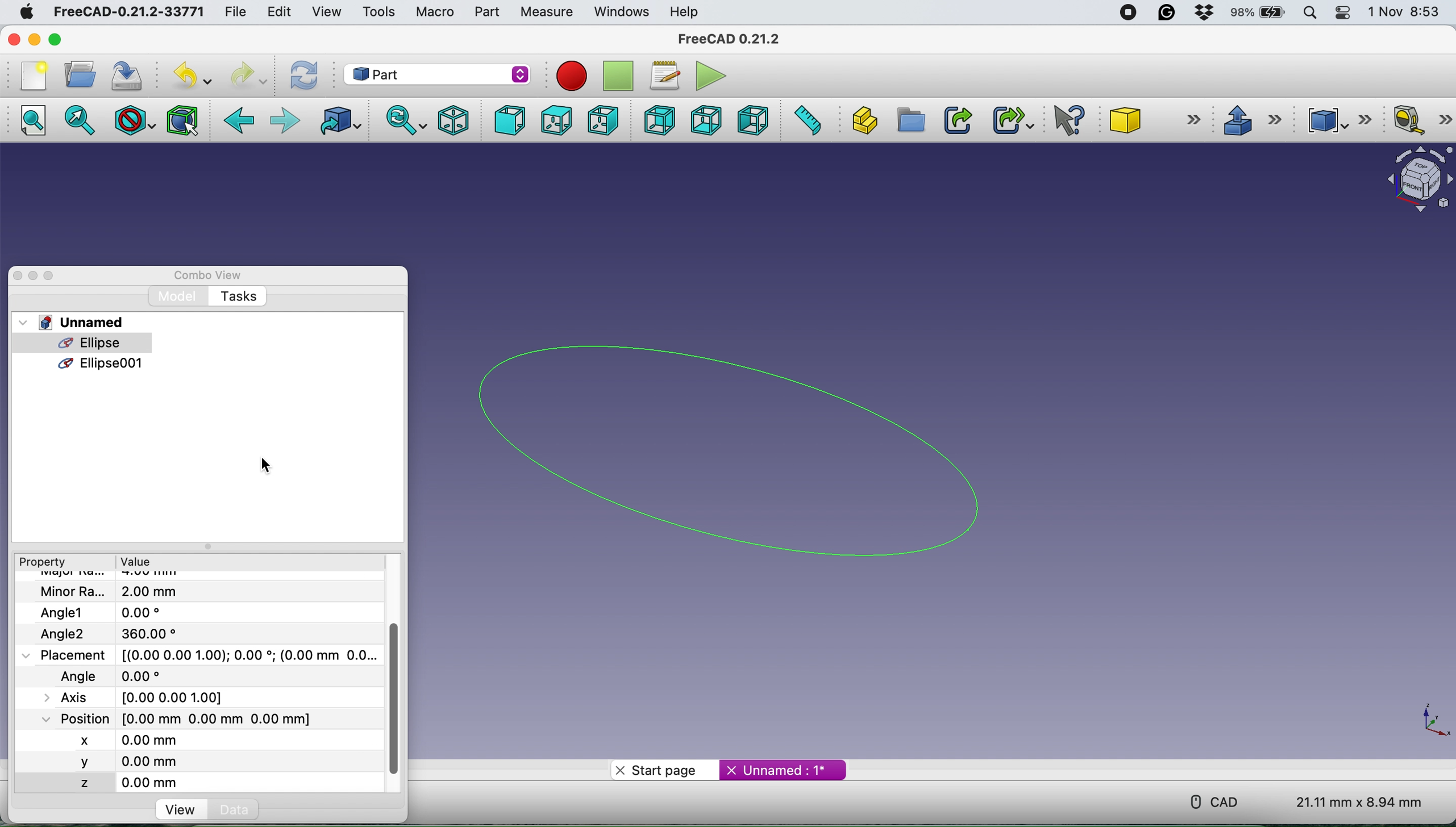 The width and height of the screenshot is (1456, 827). I want to click on draw style, so click(132, 120).